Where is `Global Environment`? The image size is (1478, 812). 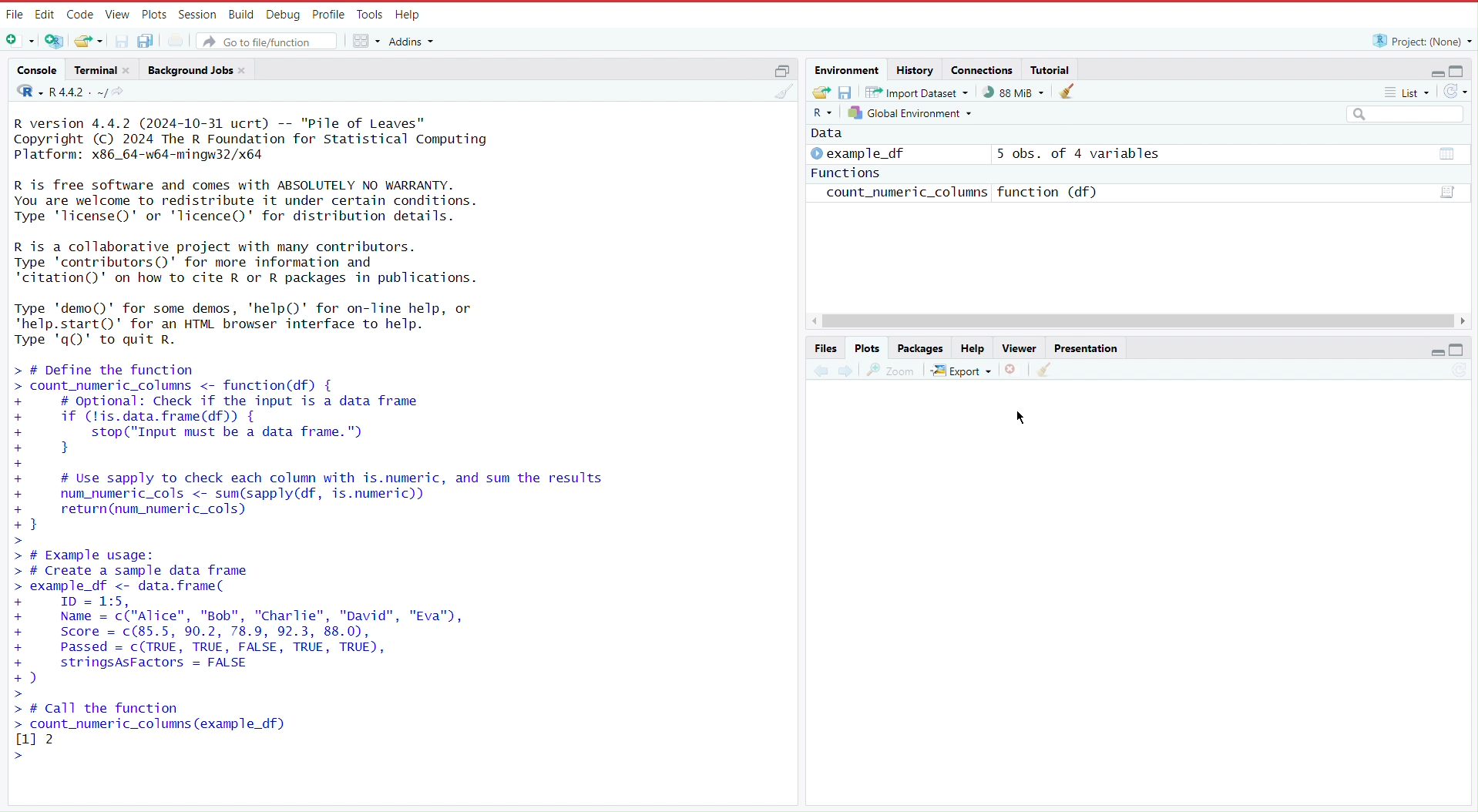 Global Environment is located at coordinates (912, 112).